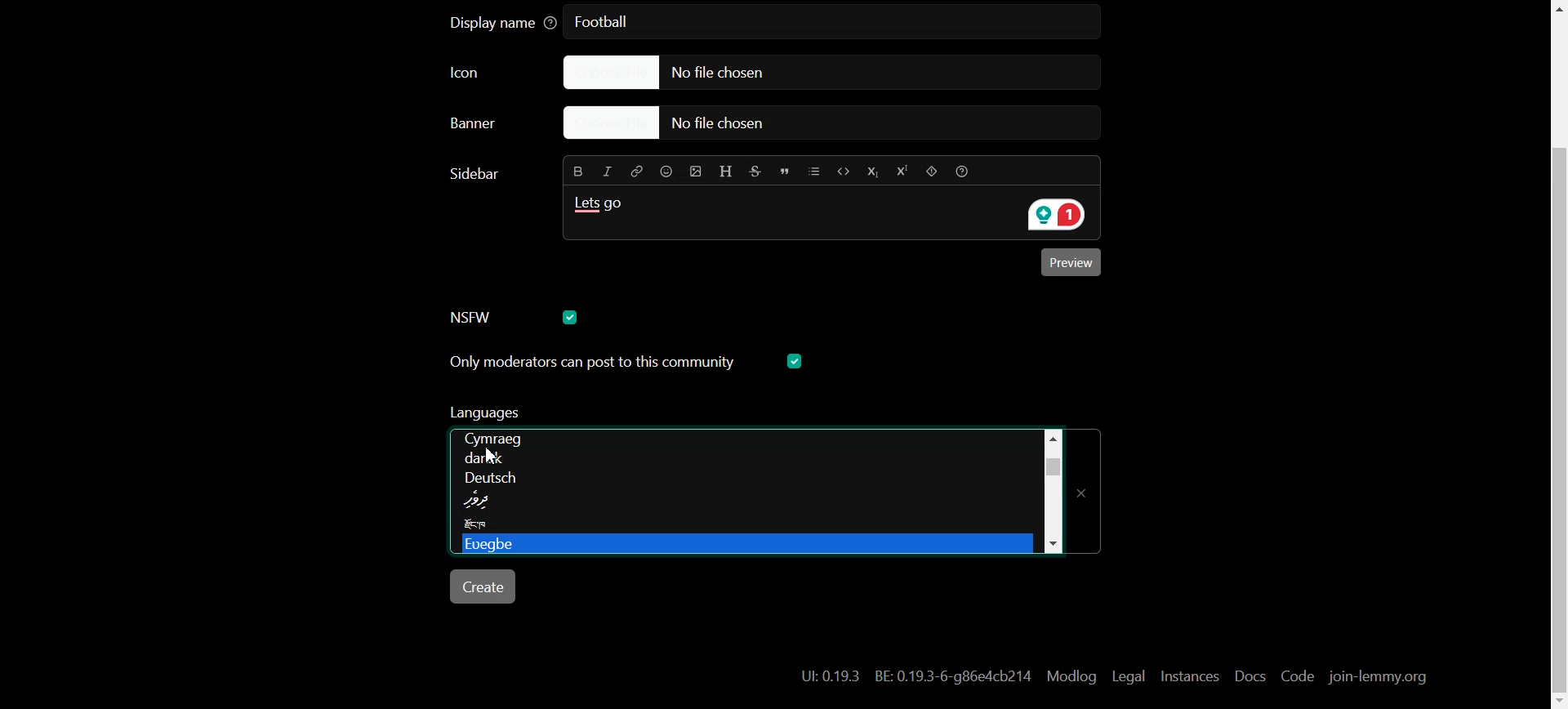 The height and width of the screenshot is (709, 1568). What do you see at coordinates (604, 208) in the screenshot?
I see `Text` at bounding box center [604, 208].